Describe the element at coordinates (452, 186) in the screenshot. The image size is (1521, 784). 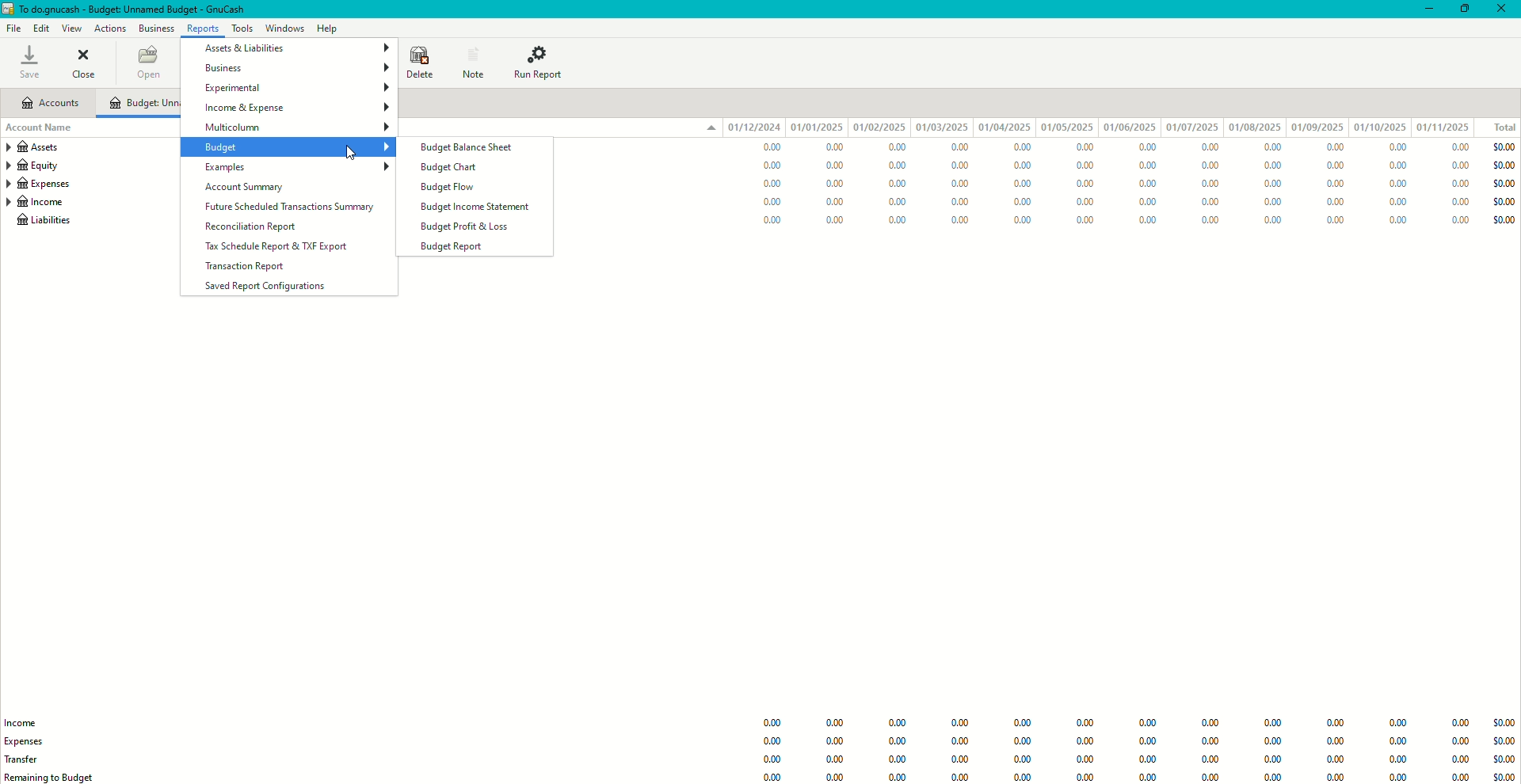
I see `Budget Flow` at that location.